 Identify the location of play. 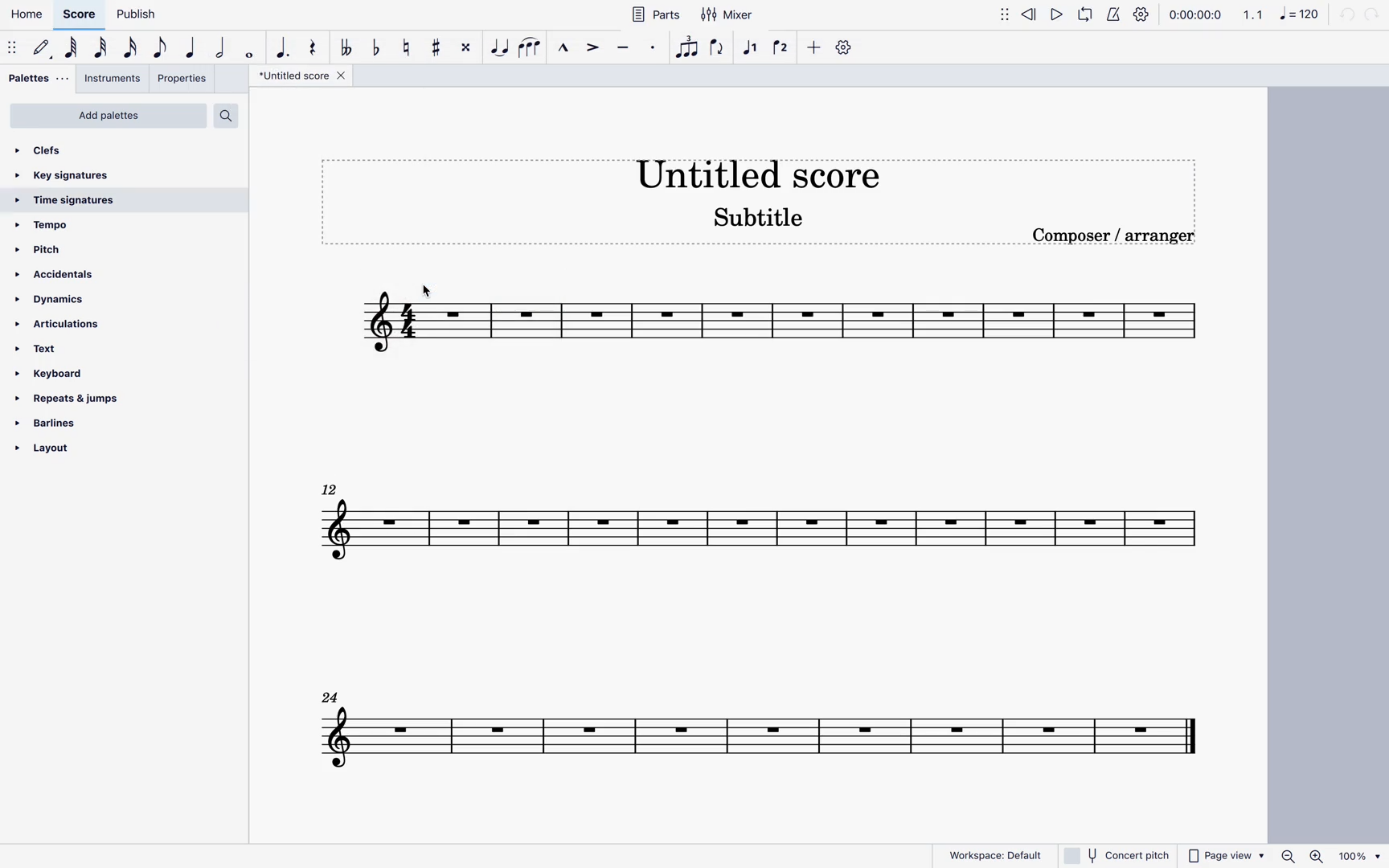
(1057, 14).